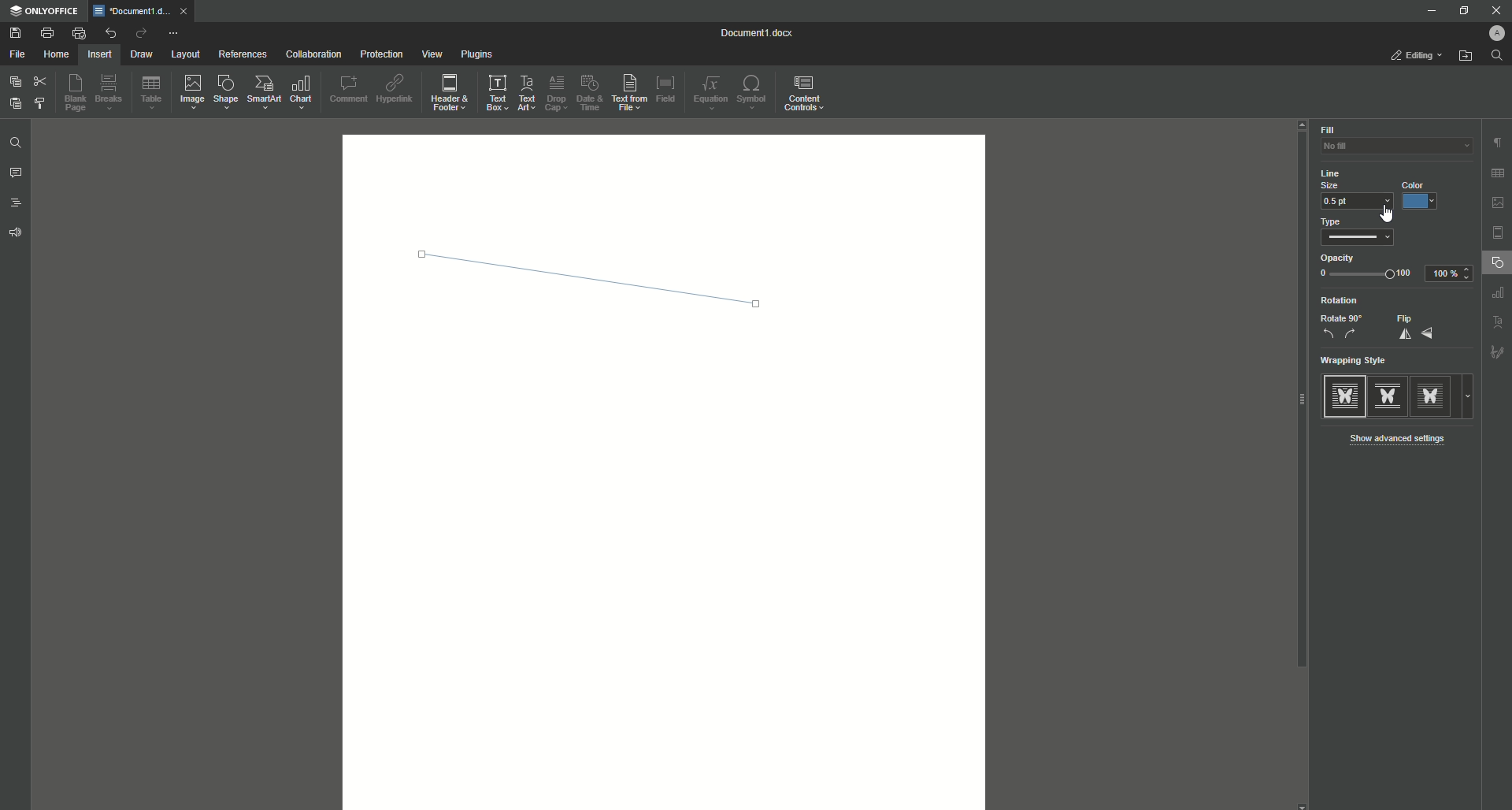 The height and width of the screenshot is (810, 1512). I want to click on Draw, so click(141, 55).